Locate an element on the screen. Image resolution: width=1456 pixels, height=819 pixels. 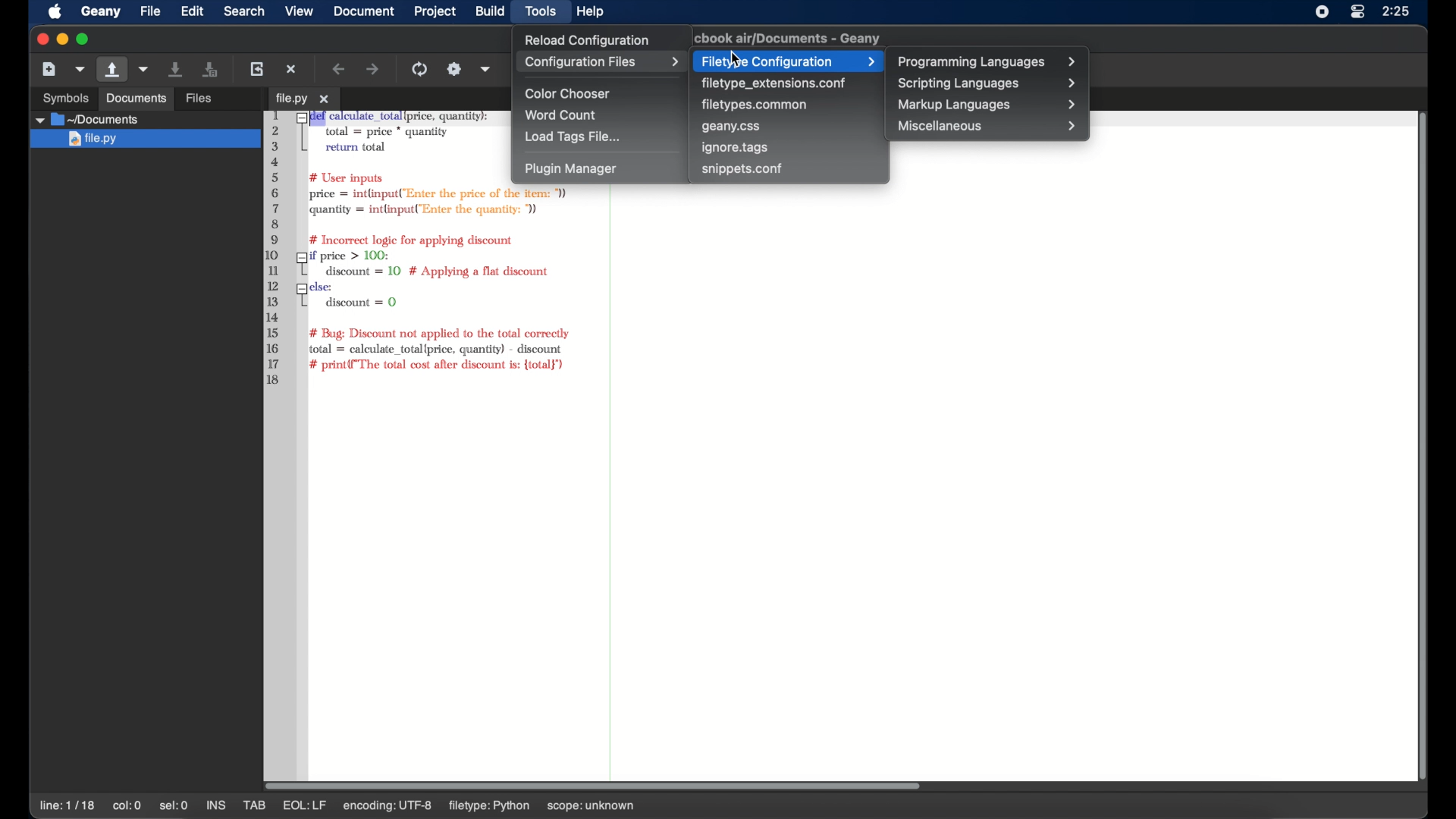
documents is located at coordinates (87, 119).